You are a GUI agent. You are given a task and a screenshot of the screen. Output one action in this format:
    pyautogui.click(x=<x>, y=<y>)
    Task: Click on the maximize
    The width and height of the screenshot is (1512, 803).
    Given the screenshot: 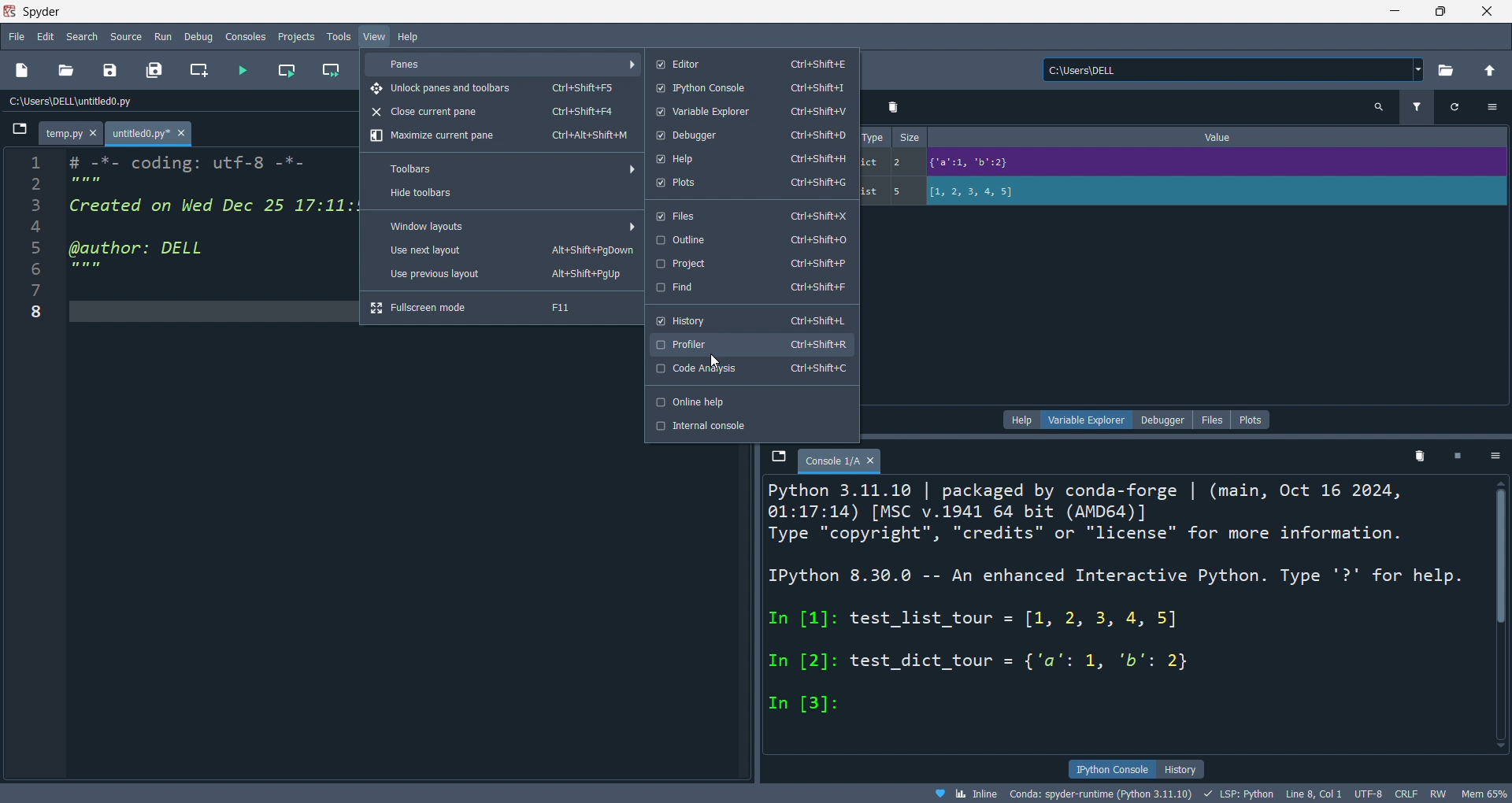 What is the action you would take?
    pyautogui.click(x=1447, y=12)
    